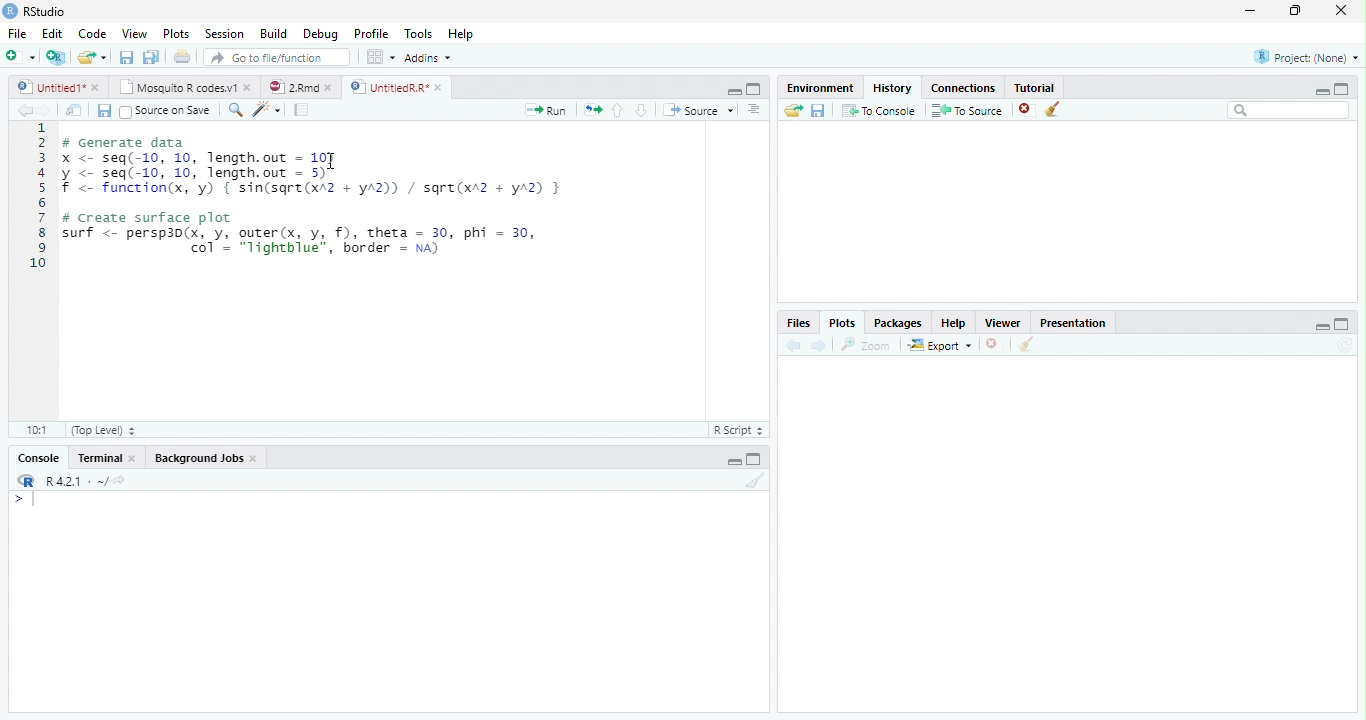 The width and height of the screenshot is (1366, 720). Describe the element at coordinates (756, 480) in the screenshot. I see `Clear console` at that location.